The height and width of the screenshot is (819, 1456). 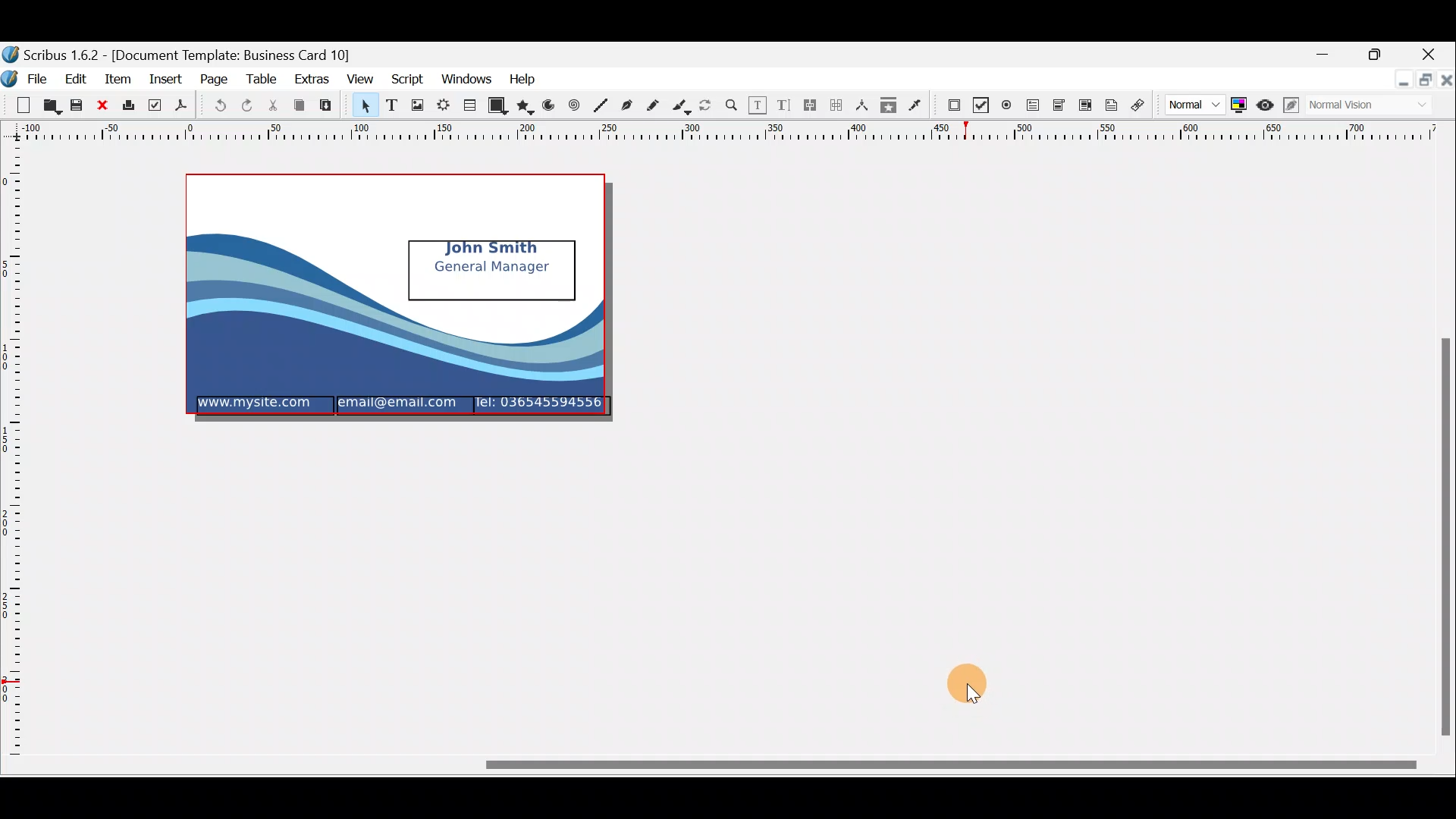 What do you see at coordinates (168, 79) in the screenshot?
I see `Insert` at bounding box center [168, 79].